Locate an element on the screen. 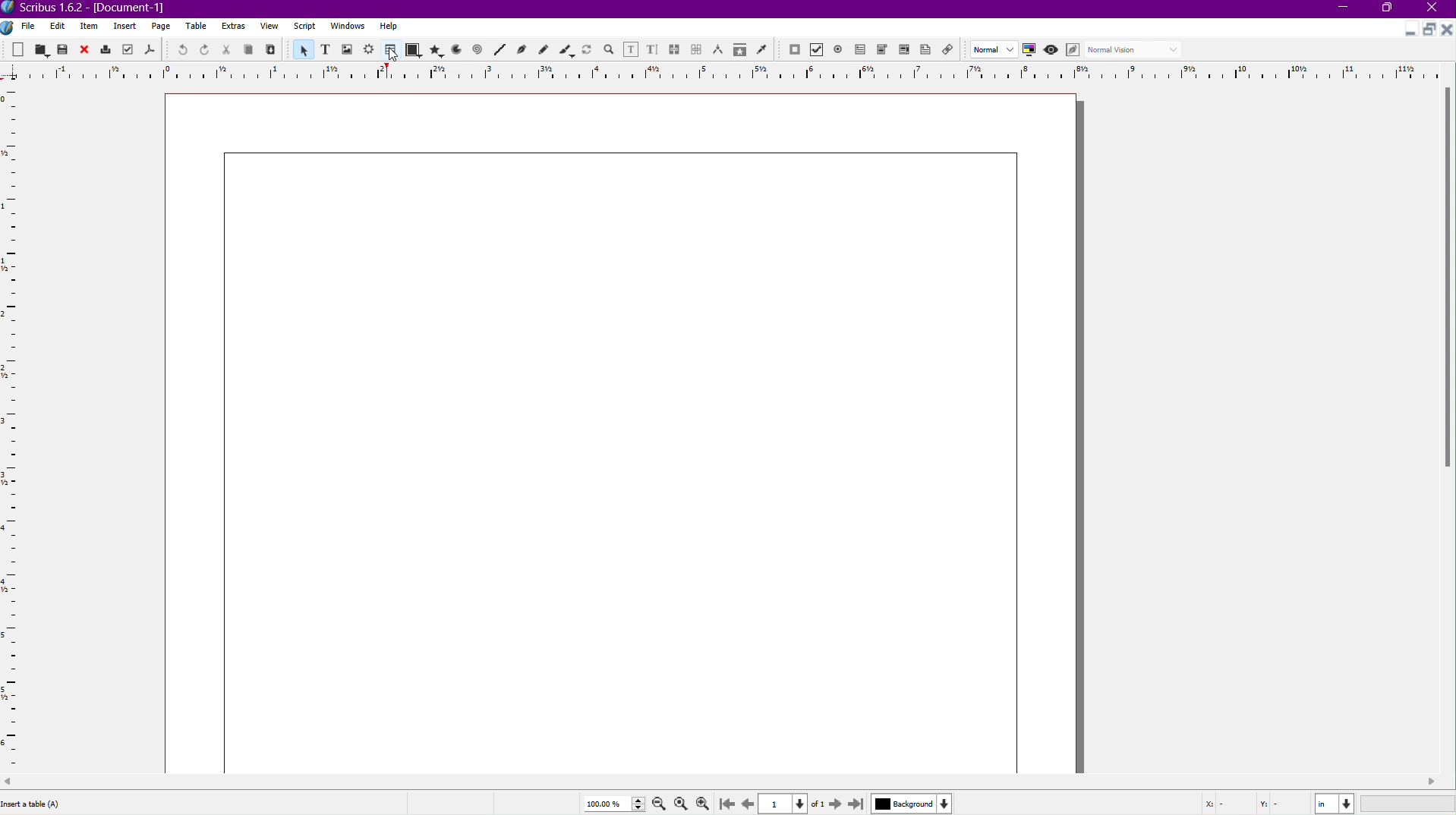  Ruler Line is located at coordinates (17, 428).